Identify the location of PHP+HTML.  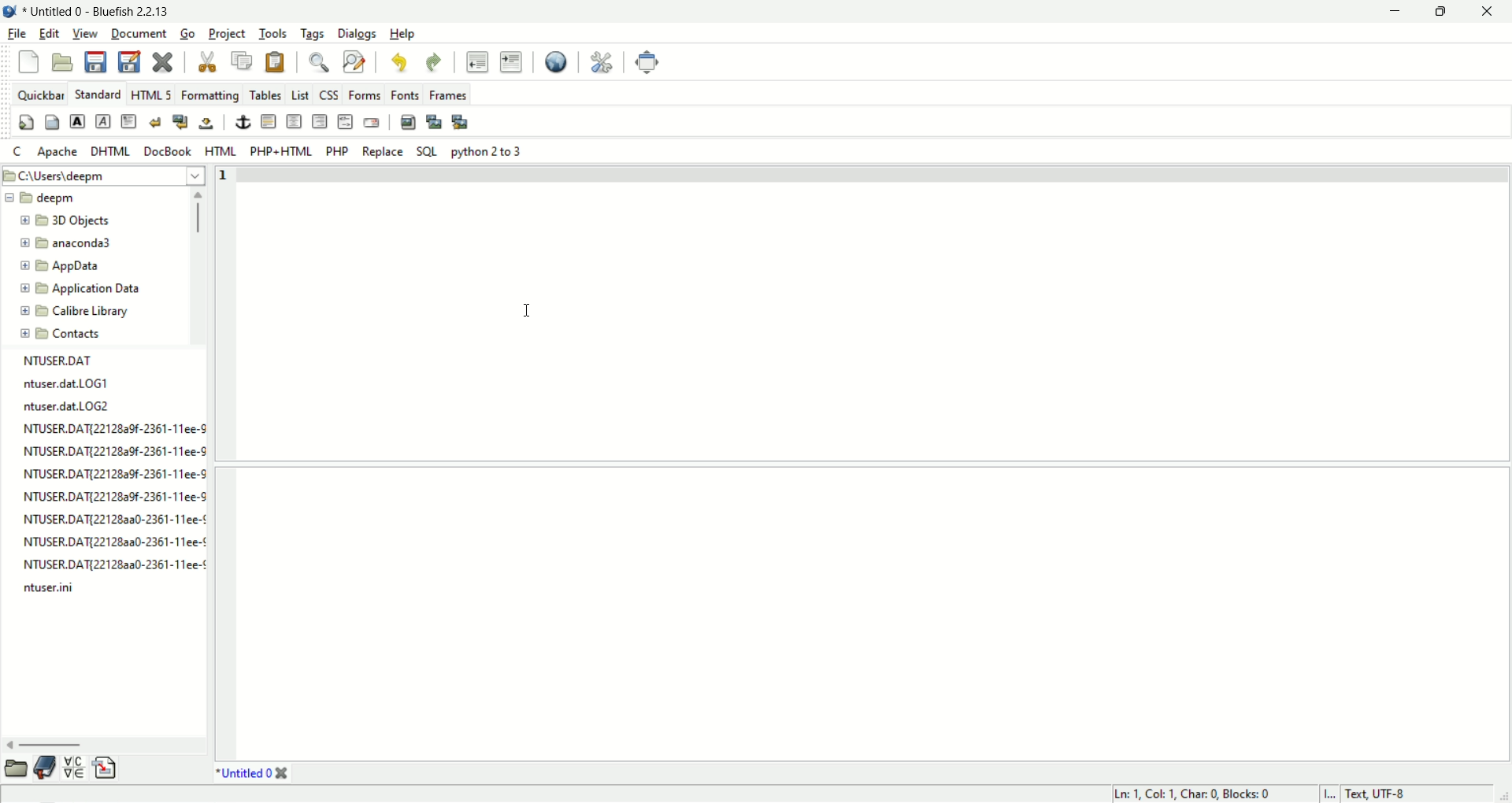
(280, 152).